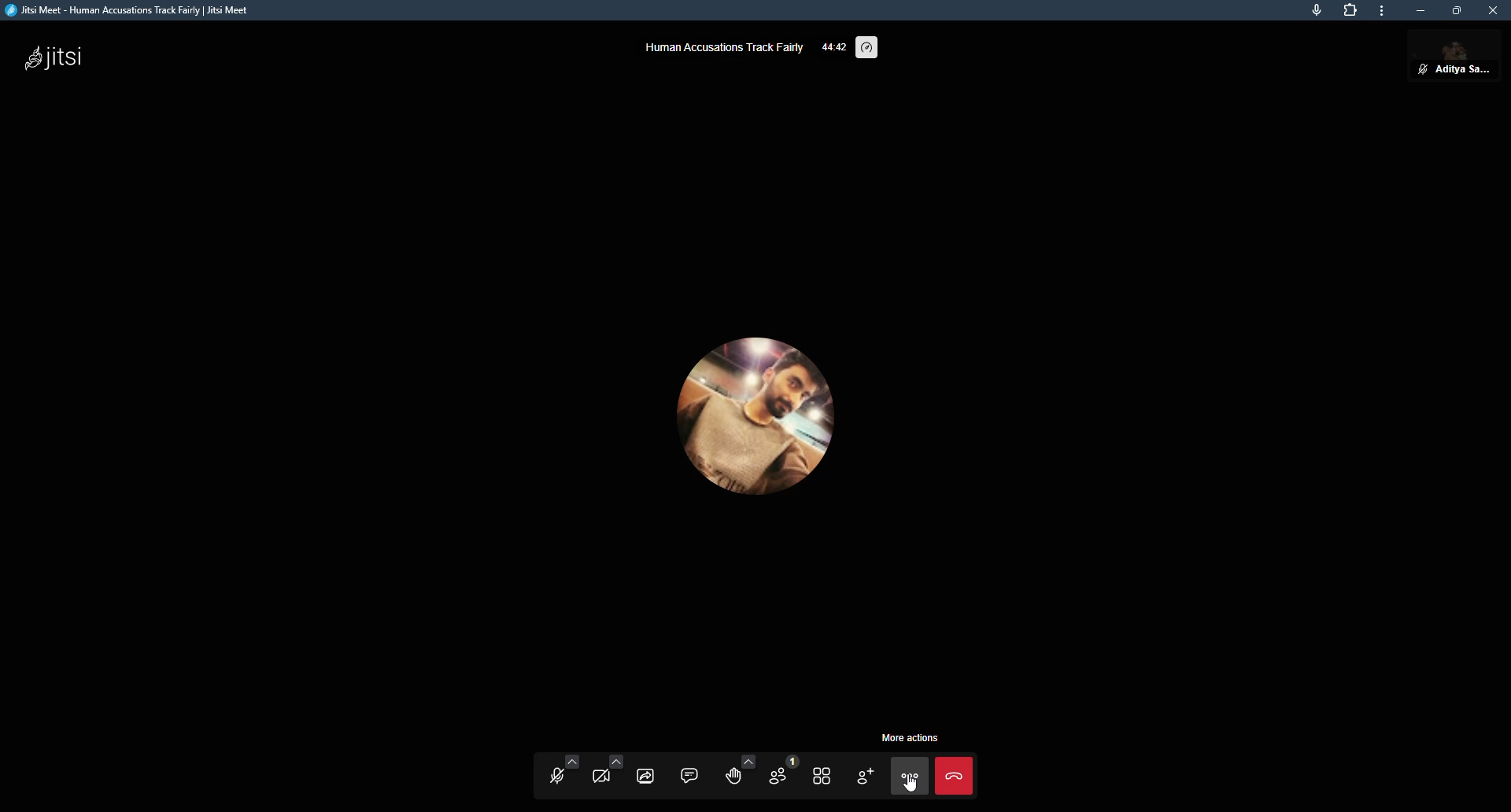 The height and width of the screenshot is (812, 1511). What do you see at coordinates (644, 775) in the screenshot?
I see `share screen` at bounding box center [644, 775].